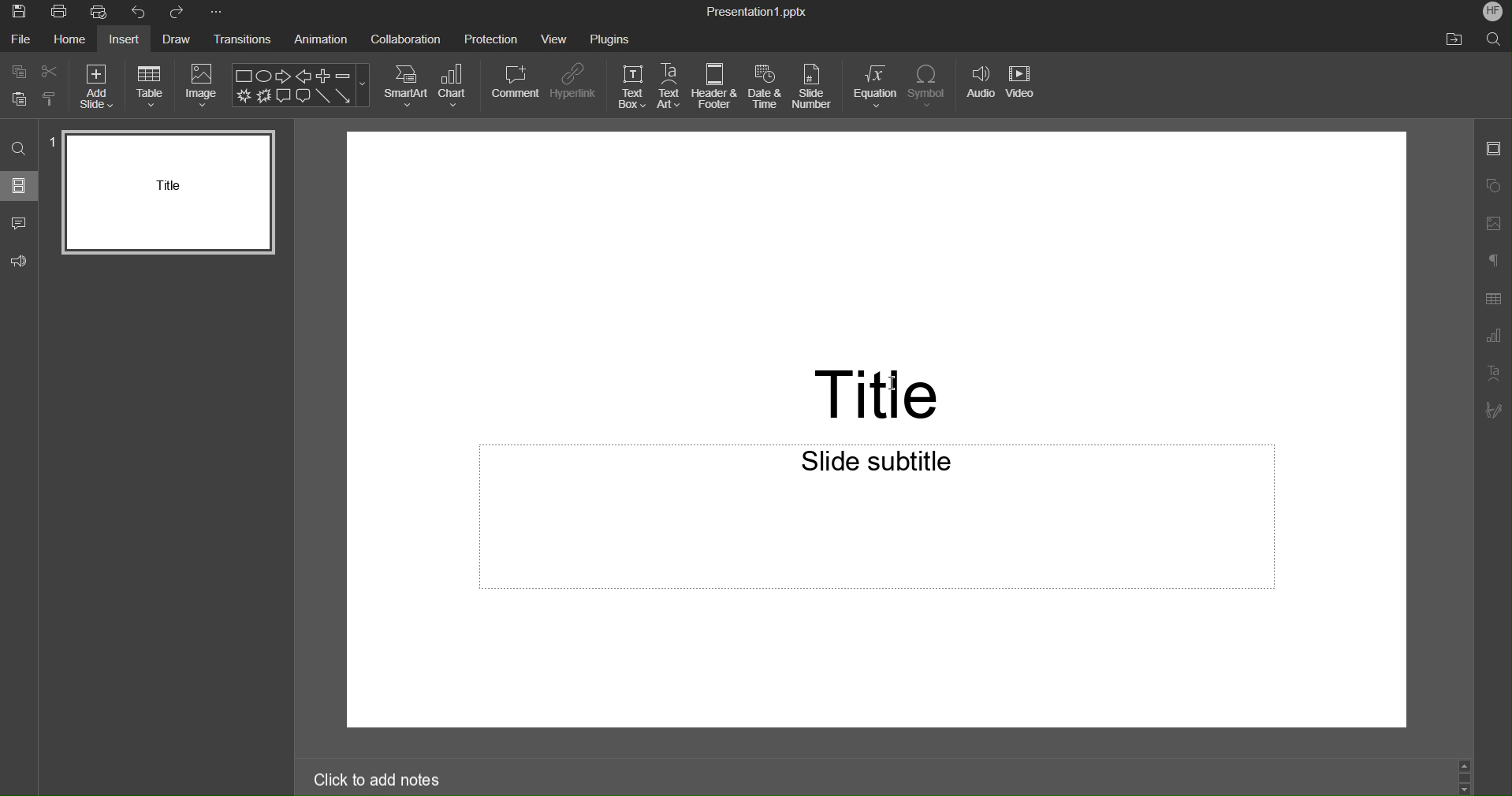 The width and height of the screenshot is (1512, 796). What do you see at coordinates (632, 87) in the screenshot?
I see `TextBox` at bounding box center [632, 87].